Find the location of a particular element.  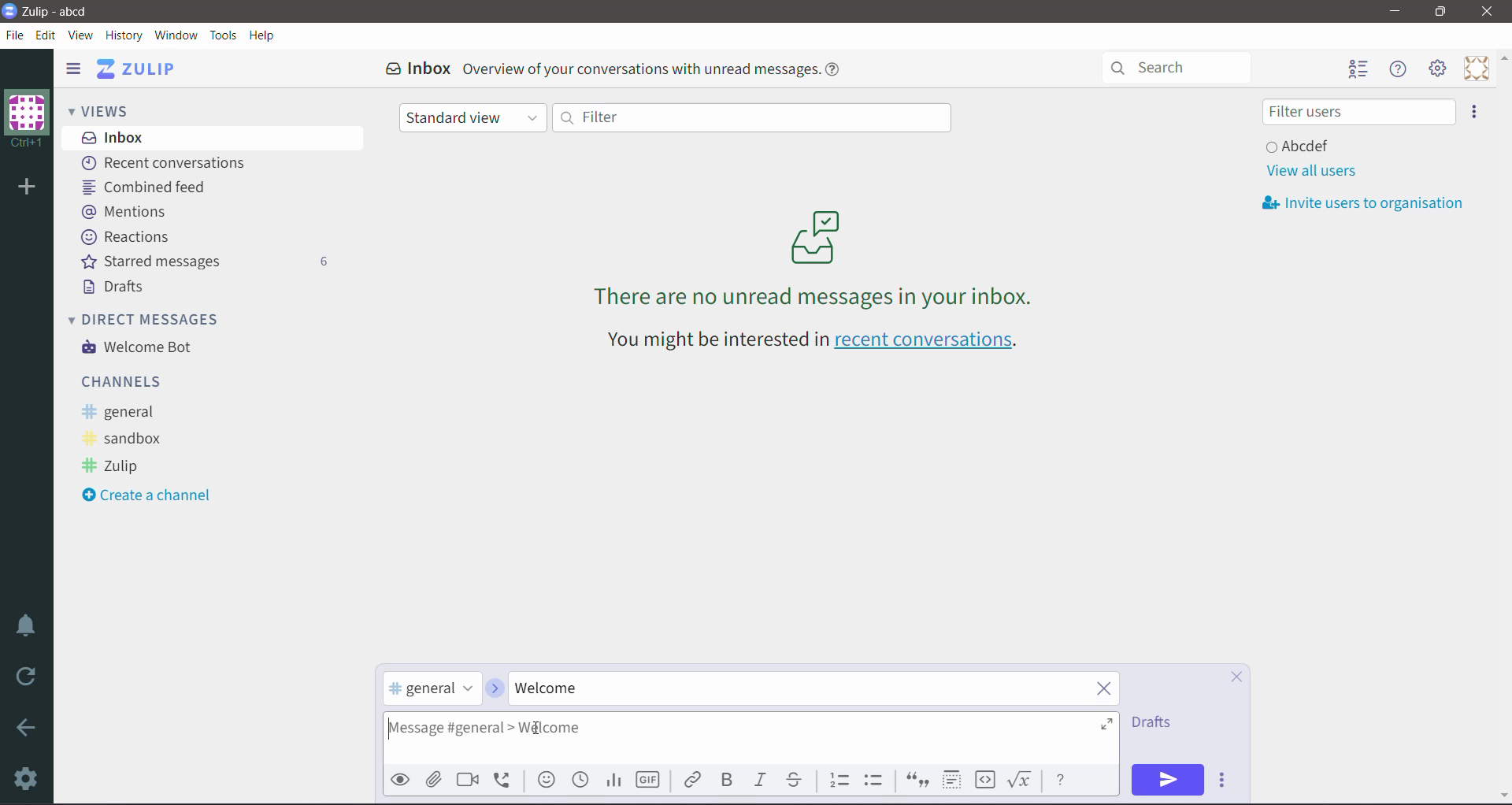

Drafts is located at coordinates (117, 287).